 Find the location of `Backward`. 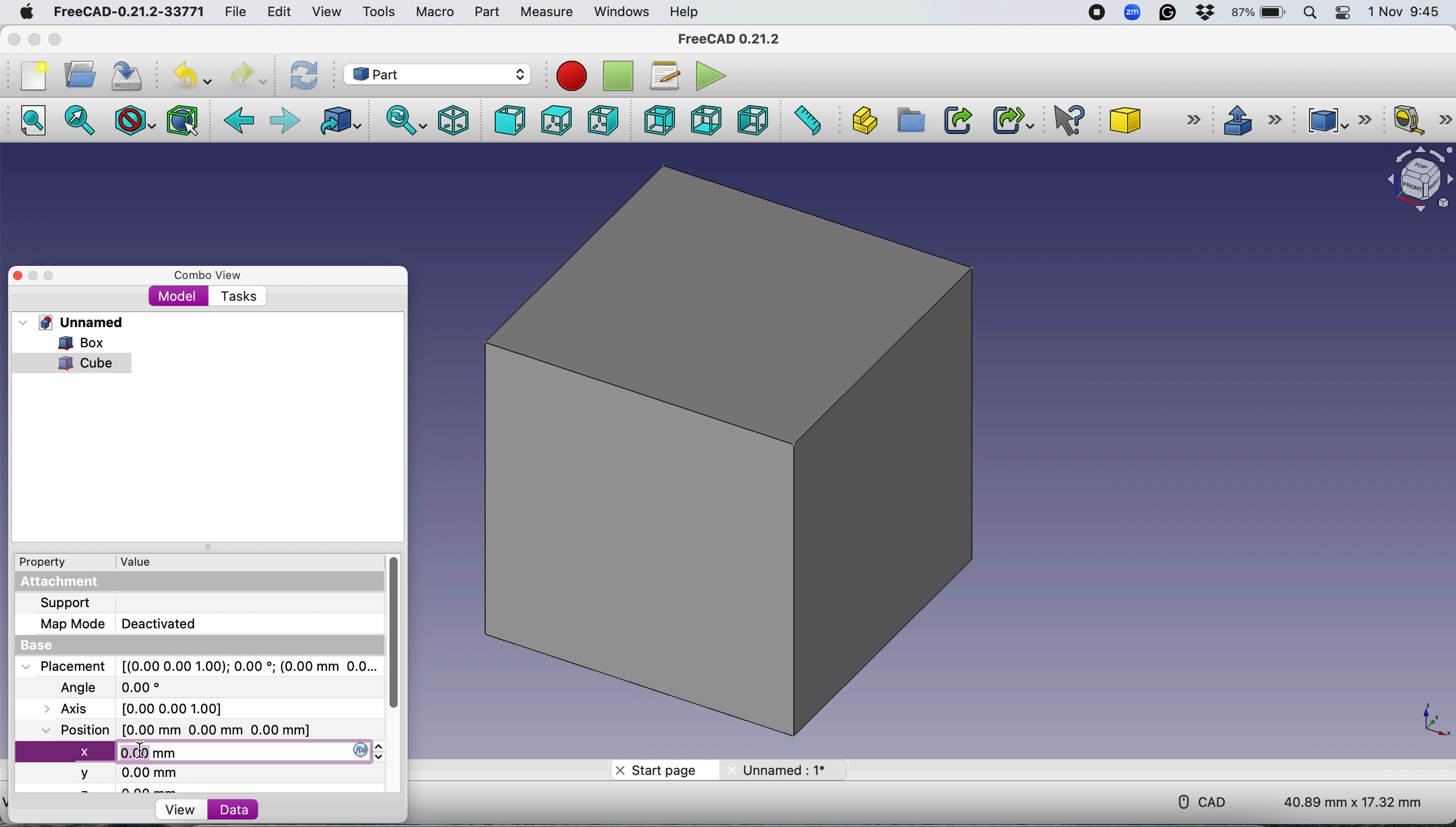

Backward is located at coordinates (240, 122).